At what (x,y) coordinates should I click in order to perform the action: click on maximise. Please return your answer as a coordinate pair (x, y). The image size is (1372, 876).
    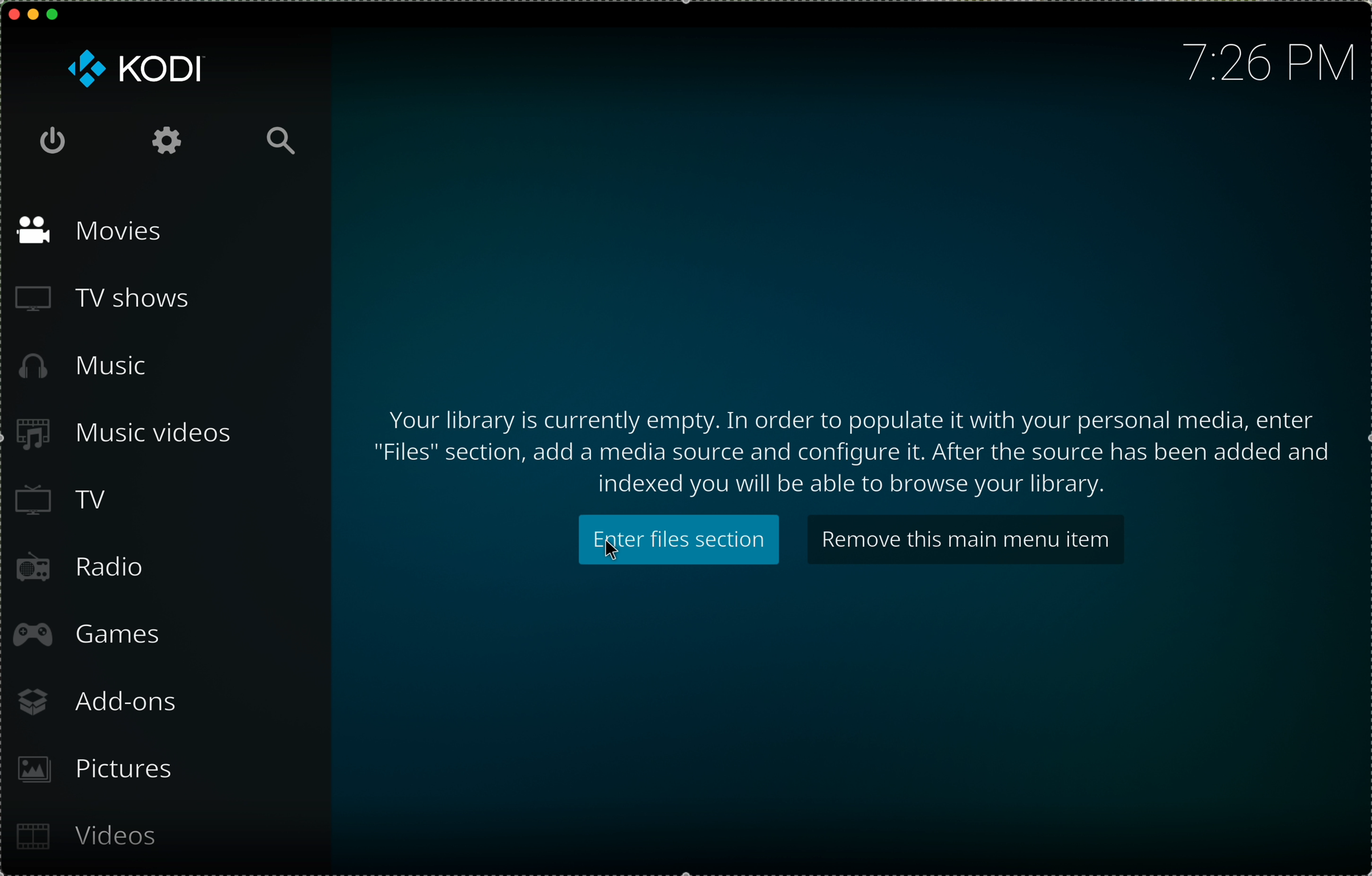
    Looking at the image, I should click on (54, 14).